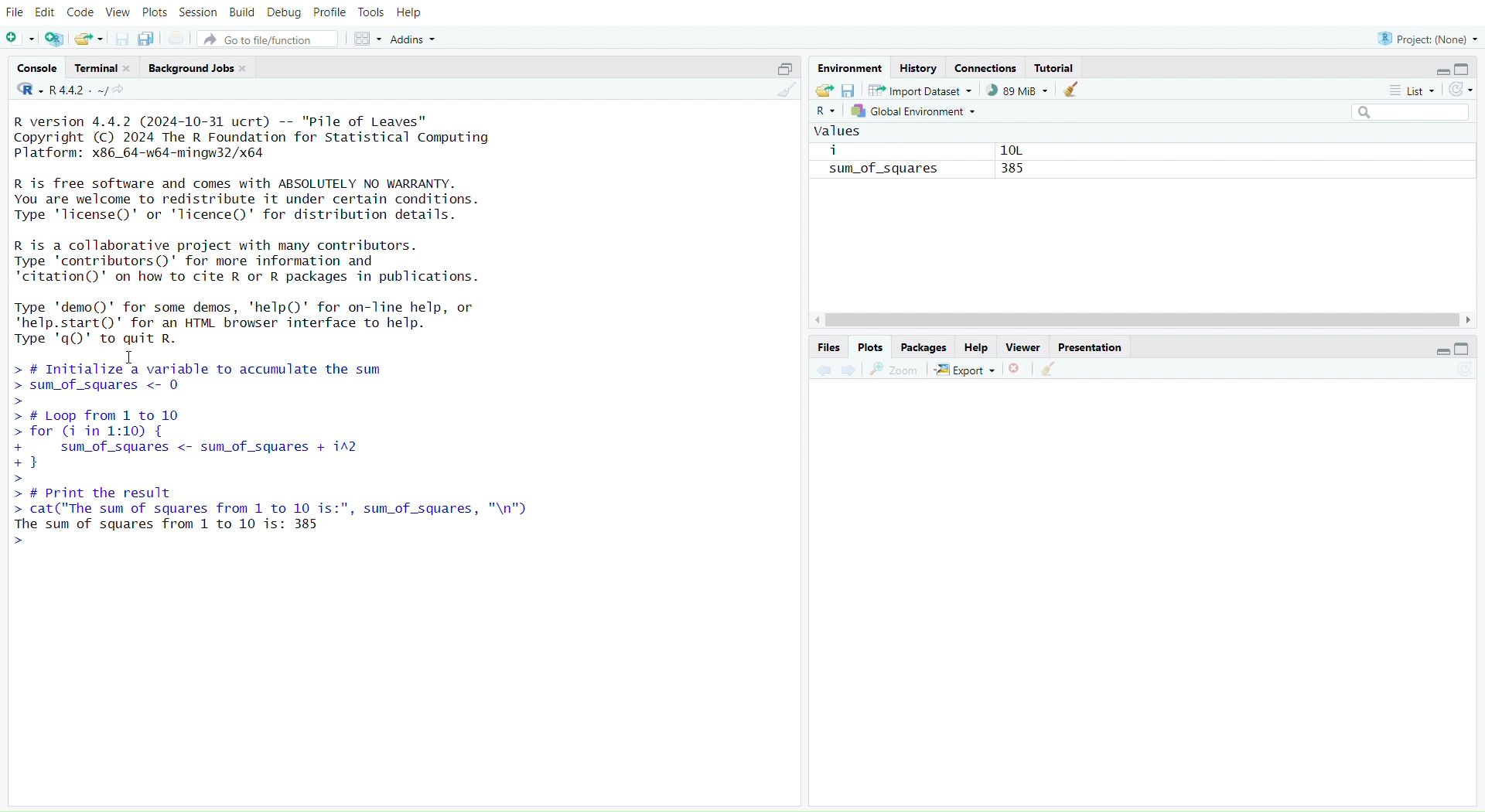  Describe the element at coordinates (146, 39) in the screenshot. I see `save all open documents` at that location.